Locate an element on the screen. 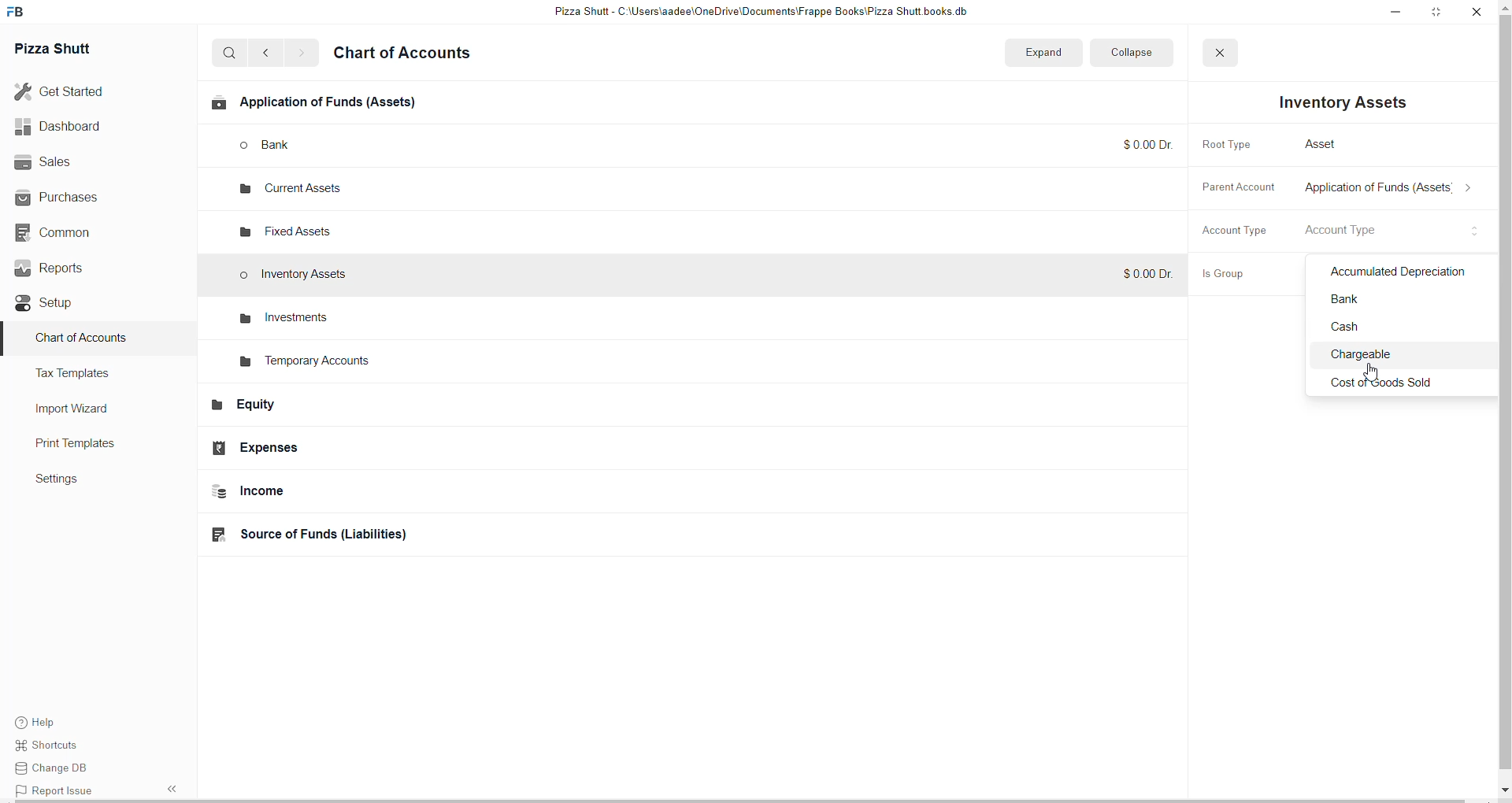 This screenshot has width=1512, height=803. select parent account  is located at coordinates (1392, 191).